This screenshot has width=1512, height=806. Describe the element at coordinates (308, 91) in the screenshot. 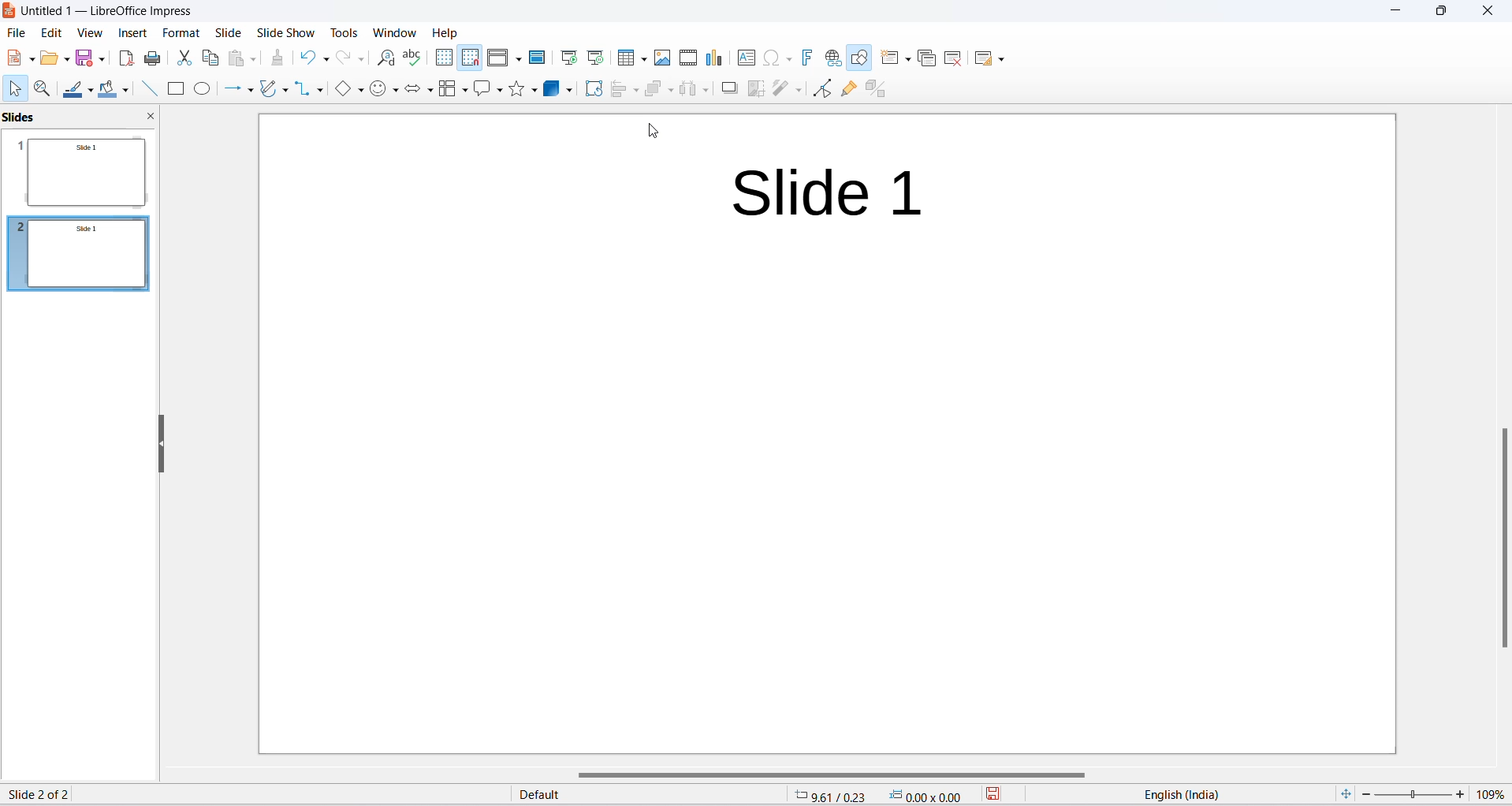

I see `Connectors` at that location.